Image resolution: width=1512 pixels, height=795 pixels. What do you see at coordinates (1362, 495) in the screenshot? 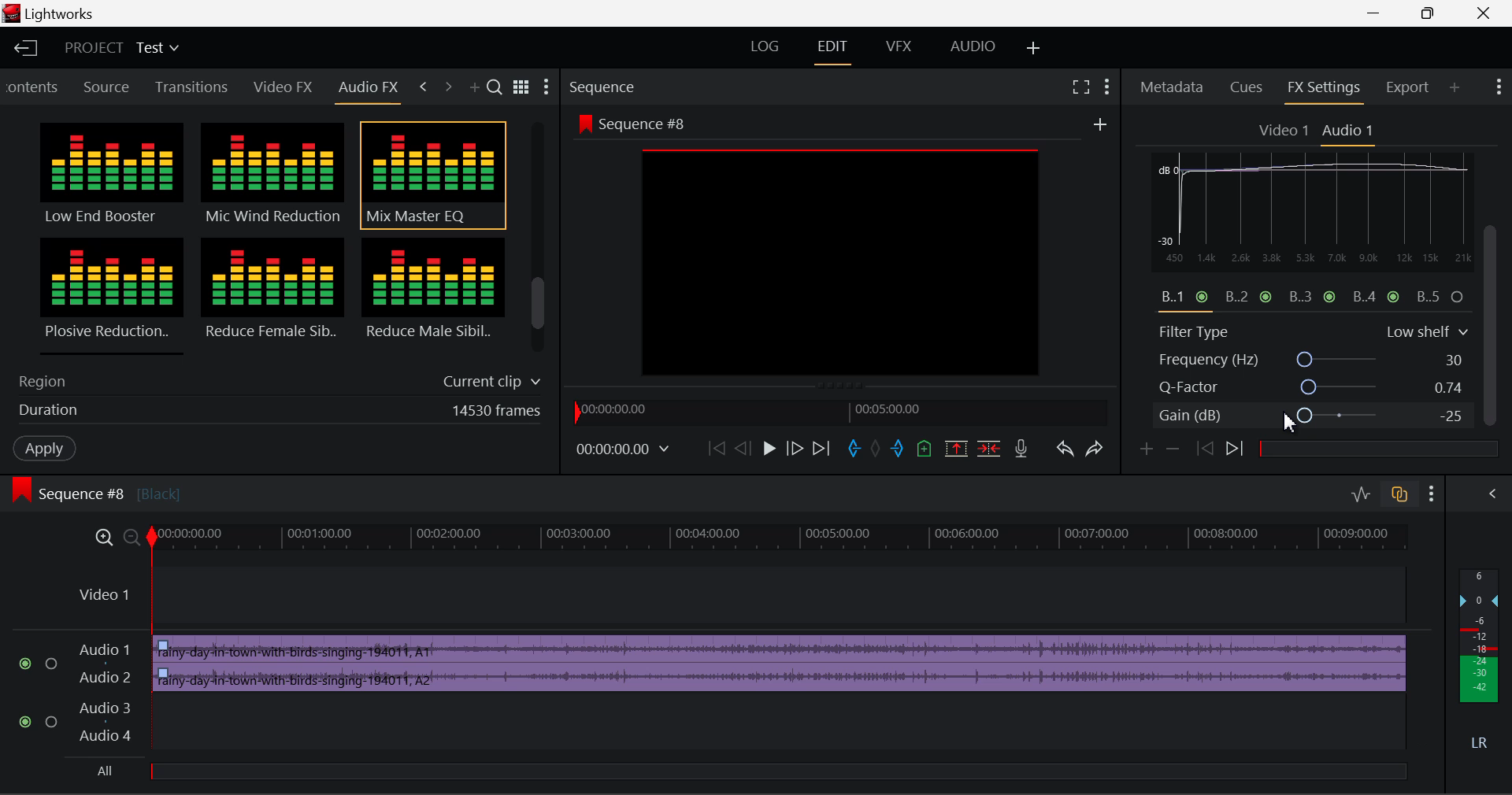
I see `Toggle Audio Levels Editing` at bounding box center [1362, 495].